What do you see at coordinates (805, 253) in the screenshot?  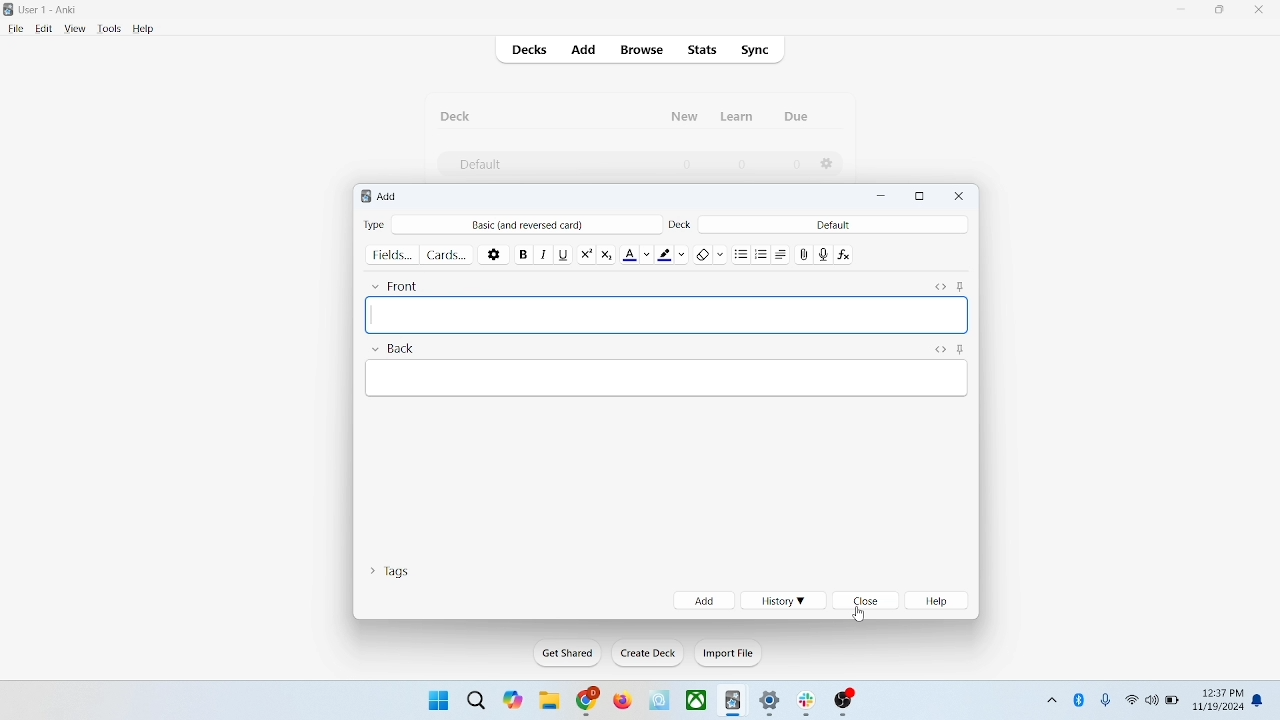 I see `attachment` at bounding box center [805, 253].